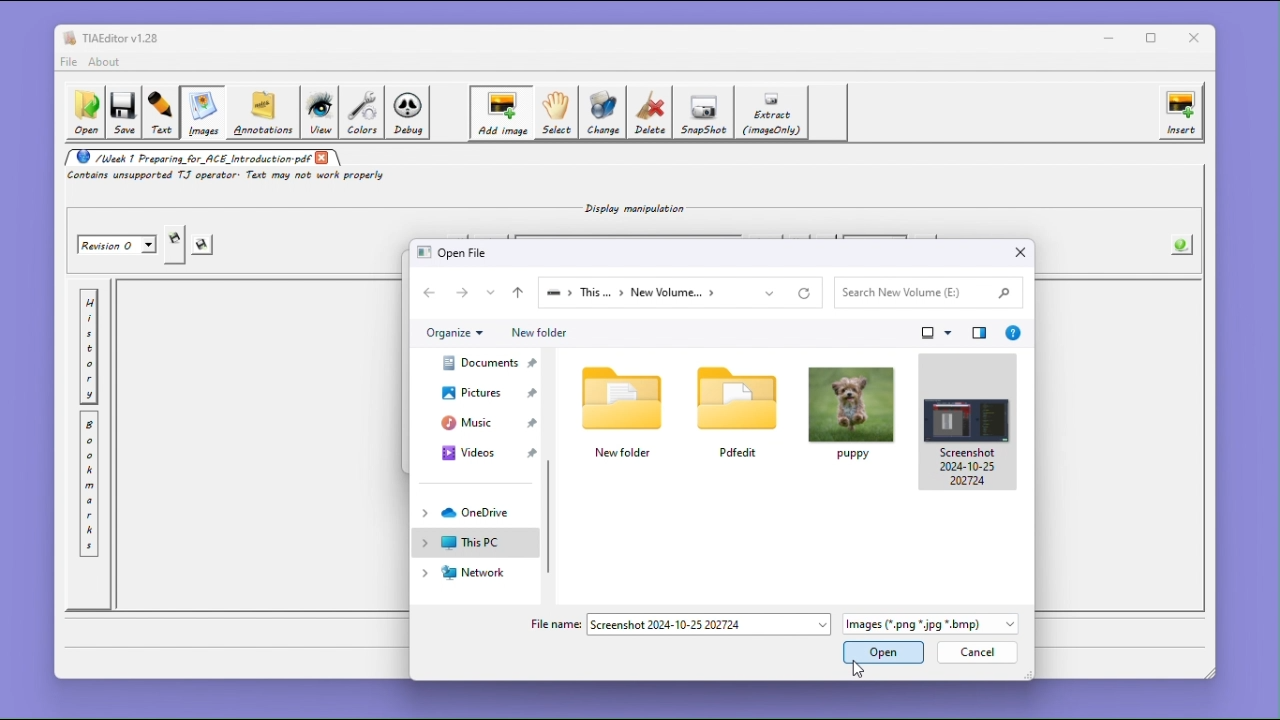  Describe the element at coordinates (651, 112) in the screenshot. I see `Delete ` at that location.